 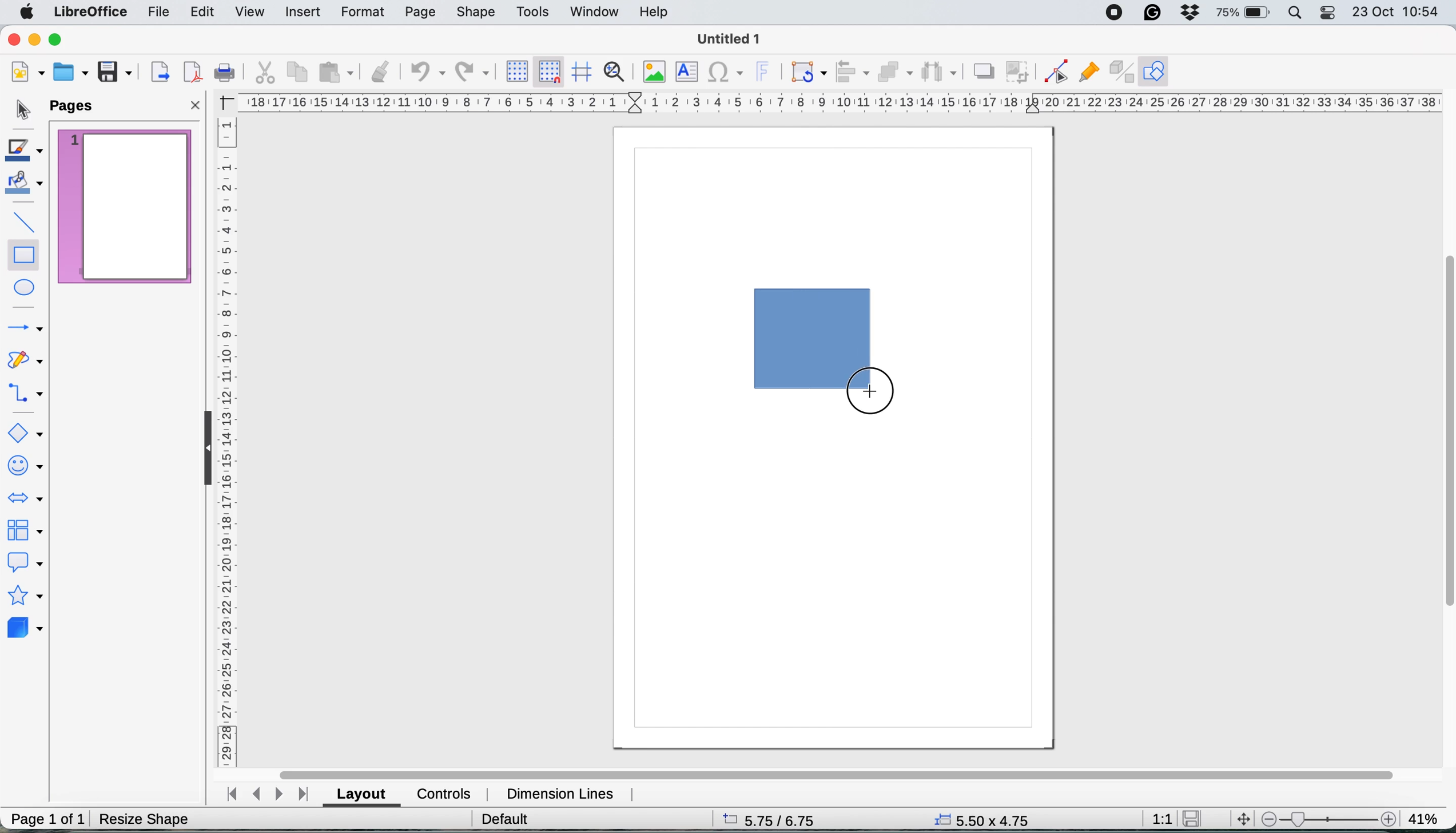 I want to click on 1:1, so click(x=1160, y=817).